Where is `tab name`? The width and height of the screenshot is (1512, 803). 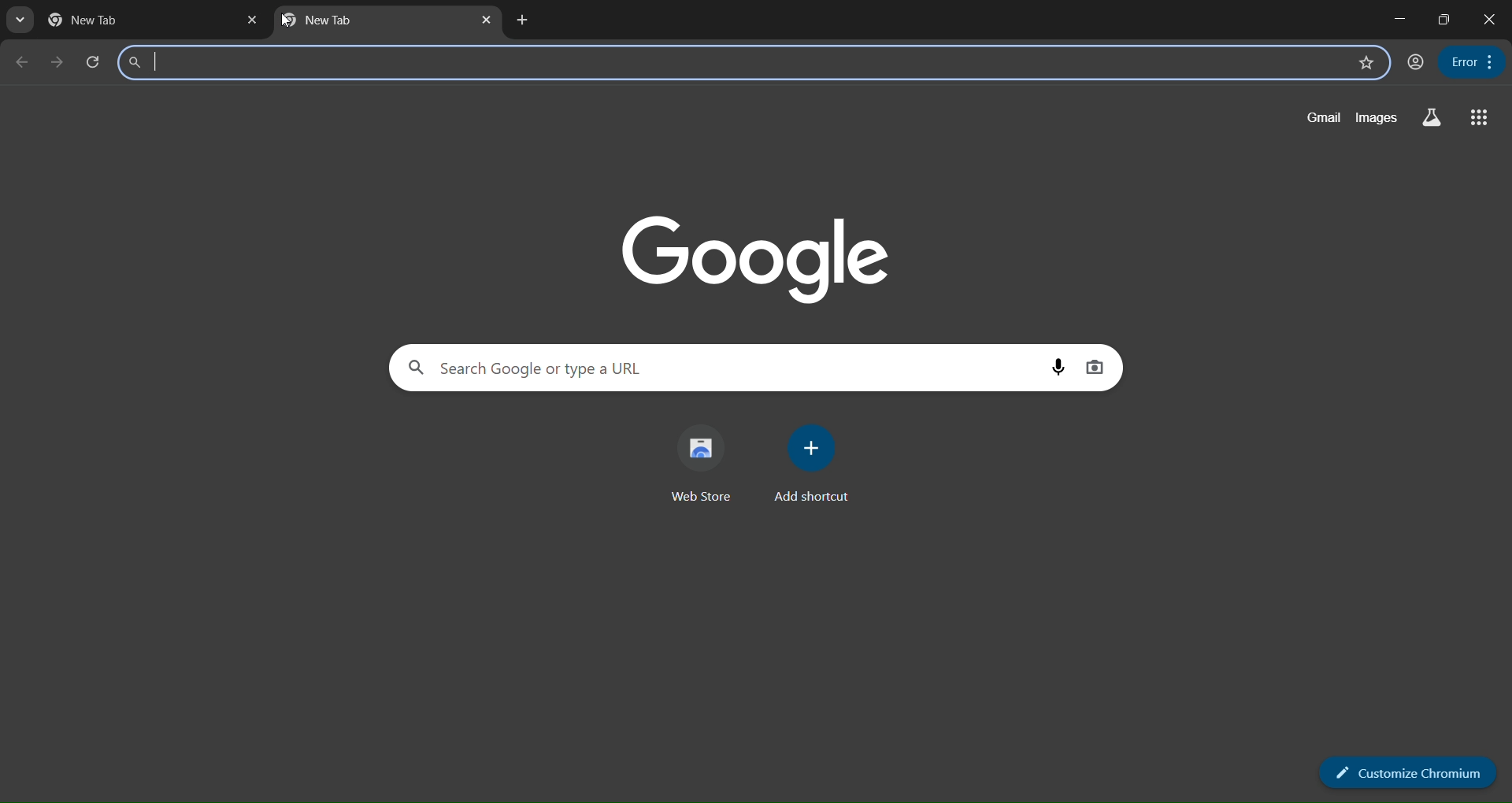 tab name is located at coordinates (132, 21).